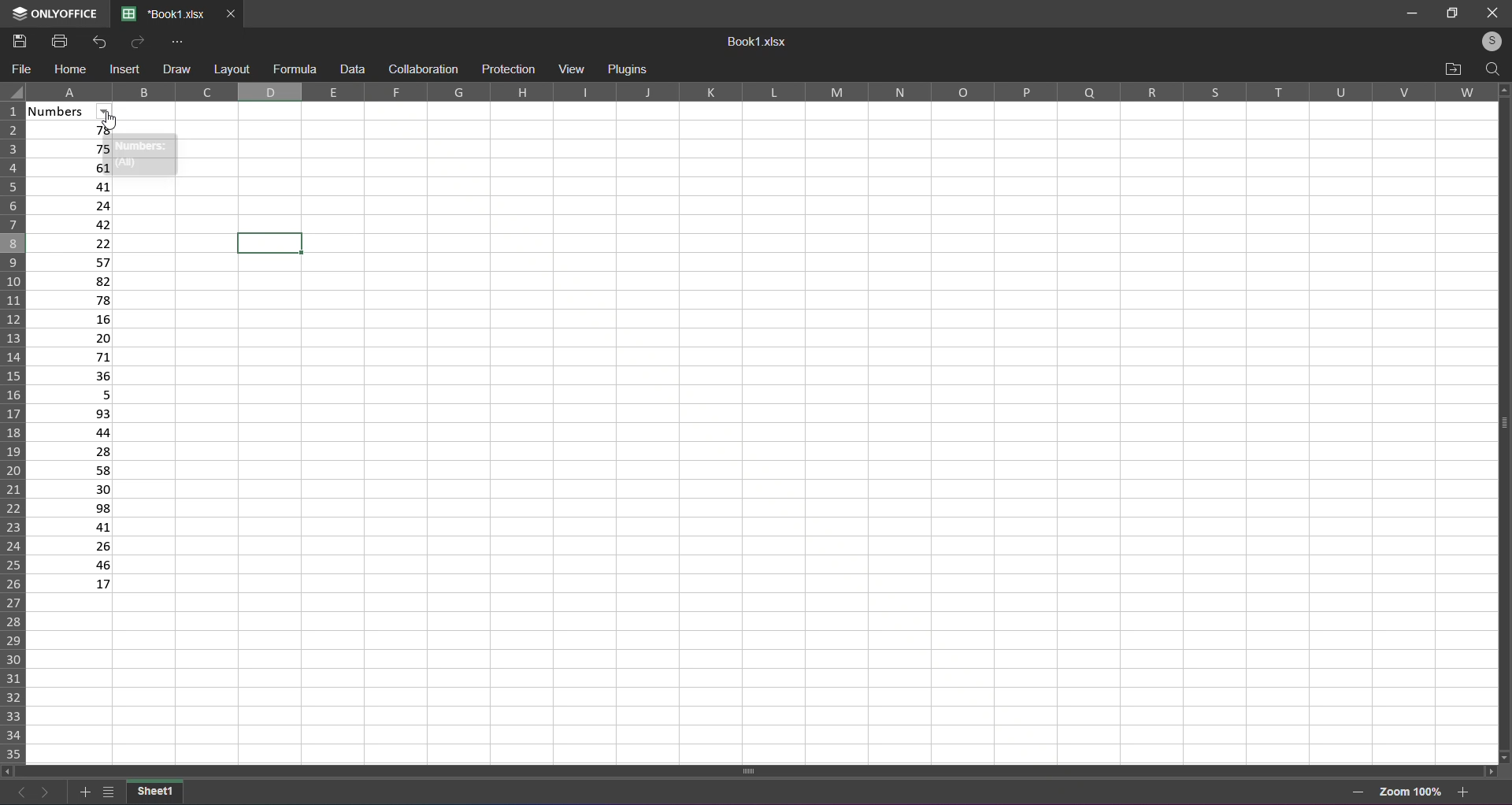 The height and width of the screenshot is (805, 1512). What do you see at coordinates (72, 132) in the screenshot?
I see `78` at bounding box center [72, 132].